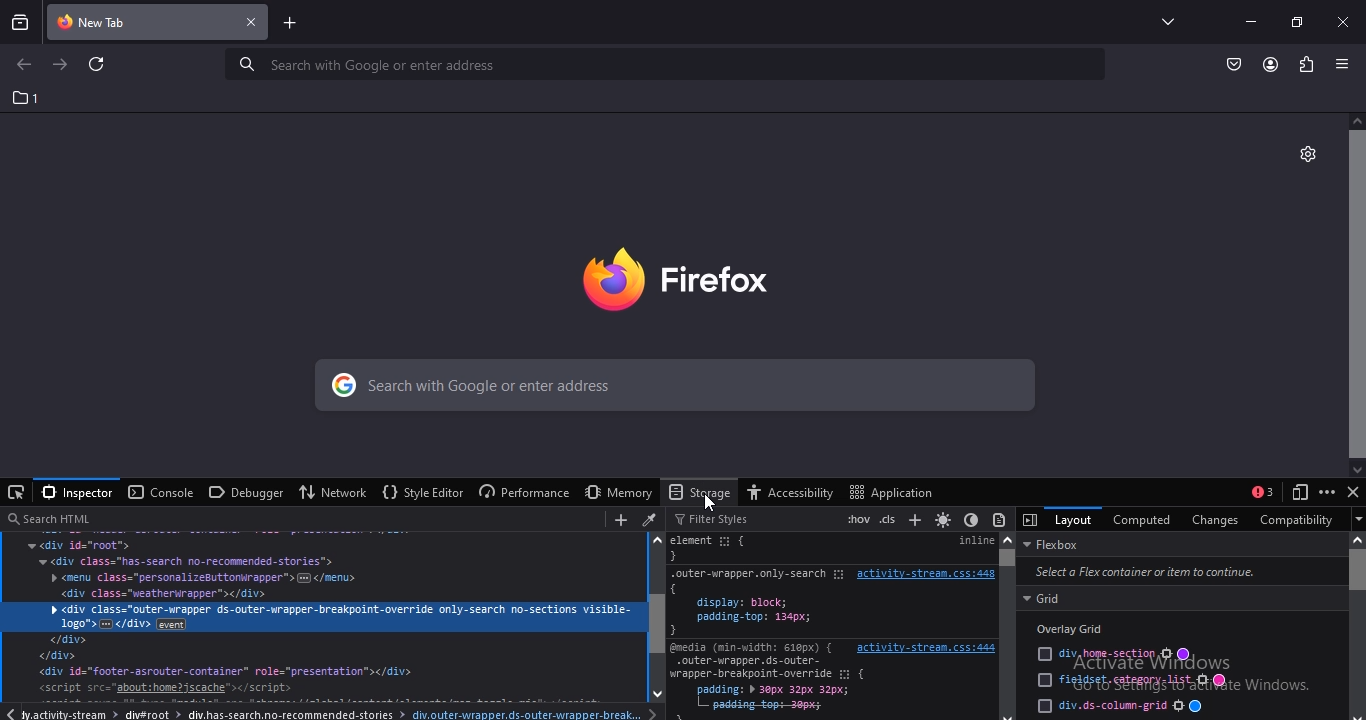 This screenshot has height=720, width=1366. Describe the element at coordinates (61, 63) in the screenshot. I see `click to go to next page` at that location.